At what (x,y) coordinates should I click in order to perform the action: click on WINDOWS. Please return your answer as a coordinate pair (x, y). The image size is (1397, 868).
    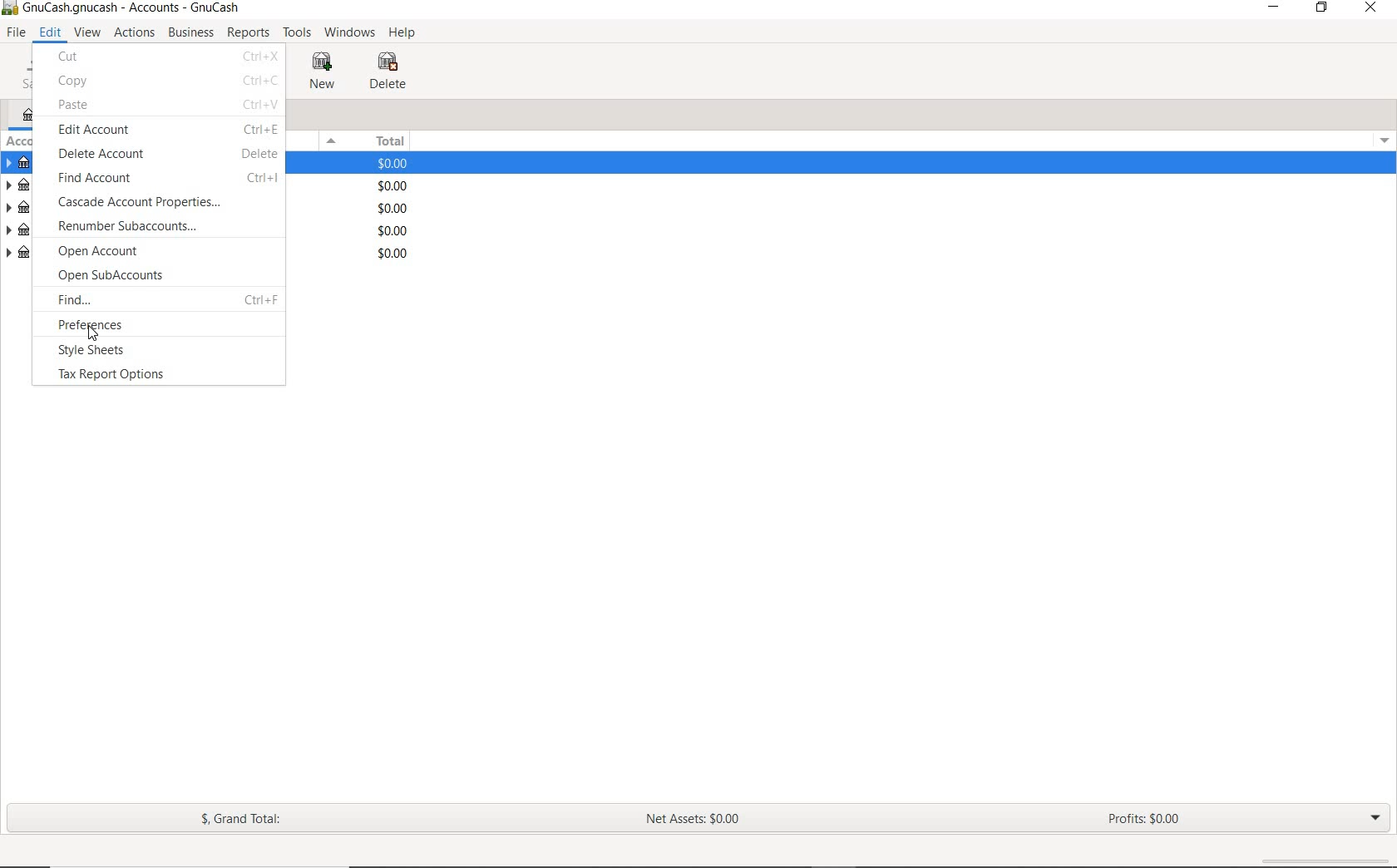
    Looking at the image, I should click on (351, 32).